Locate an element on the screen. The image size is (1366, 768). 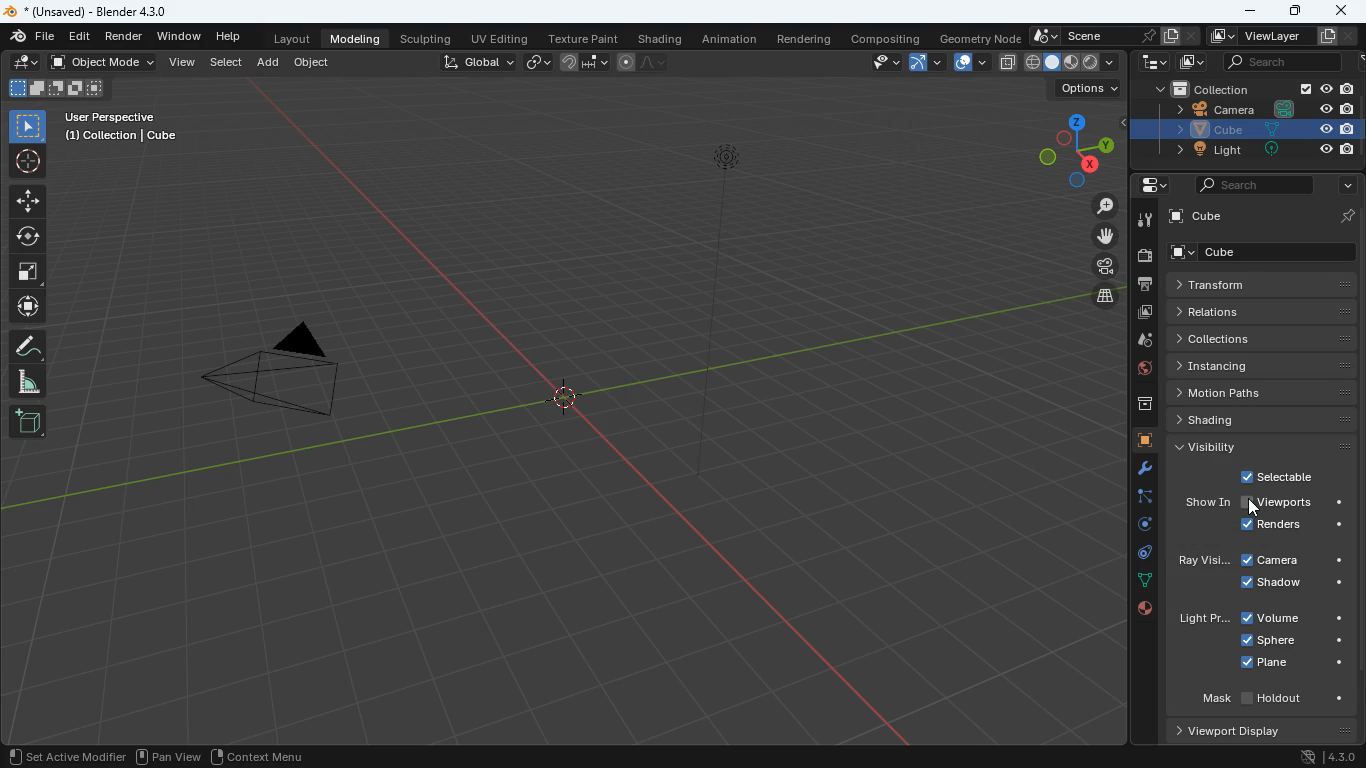
collection is located at coordinates (1246, 88).